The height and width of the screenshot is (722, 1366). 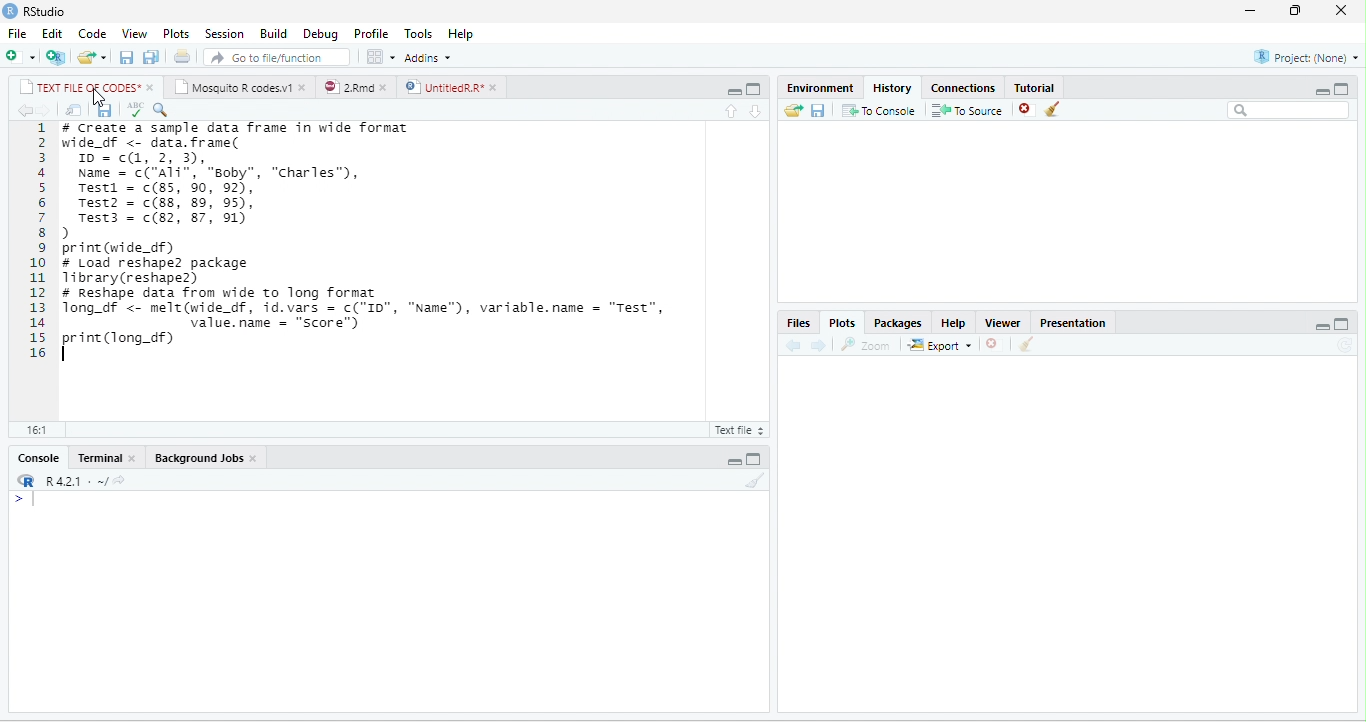 I want to click on Debug, so click(x=322, y=35).